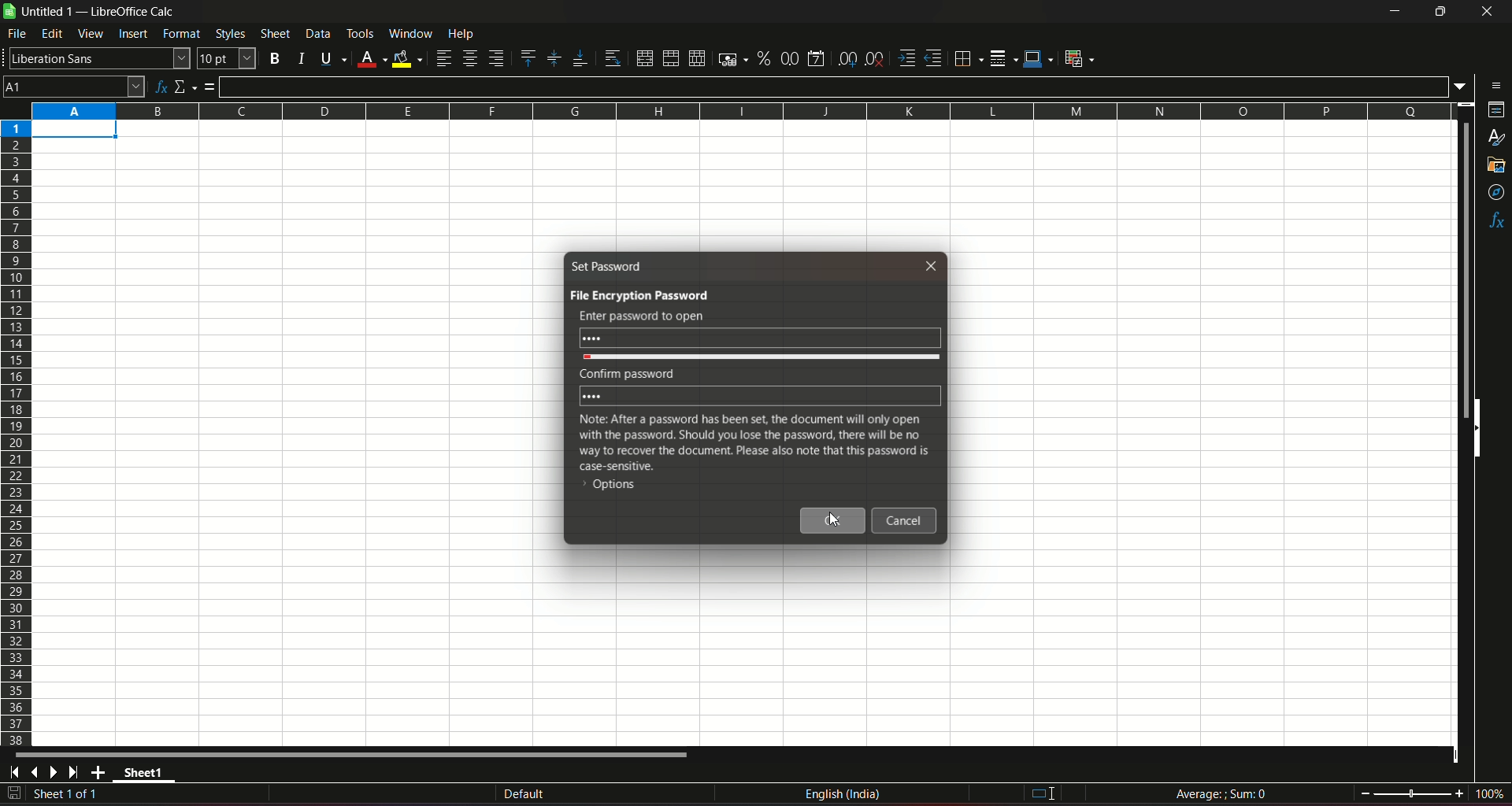 The height and width of the screenshot is (806, 1512). Describe the element at coordinates (906, 522) in the screenshot. I see `cancel` at that location.